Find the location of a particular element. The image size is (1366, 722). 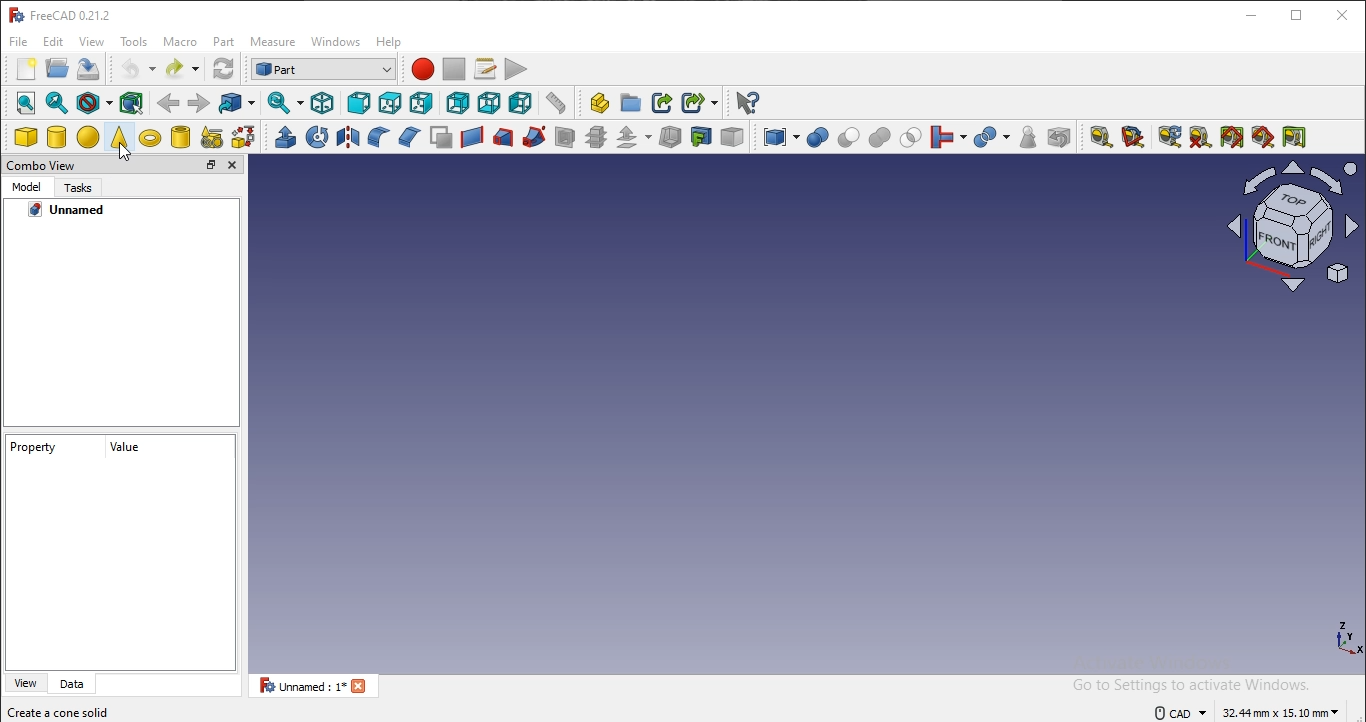

close is located at coordinates (235, 165).